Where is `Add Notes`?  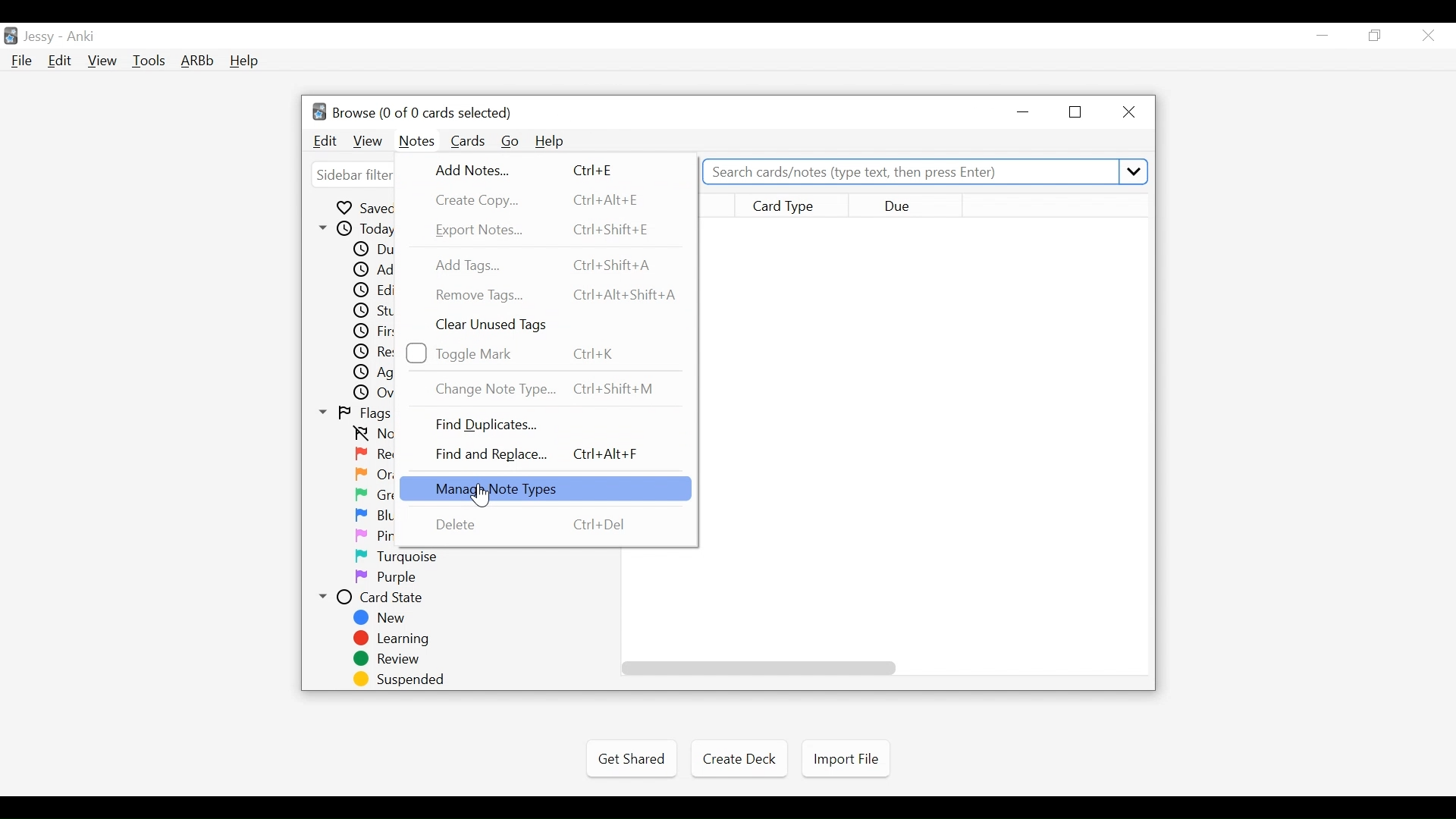
Add Notes is located at coordinates (526, 170).